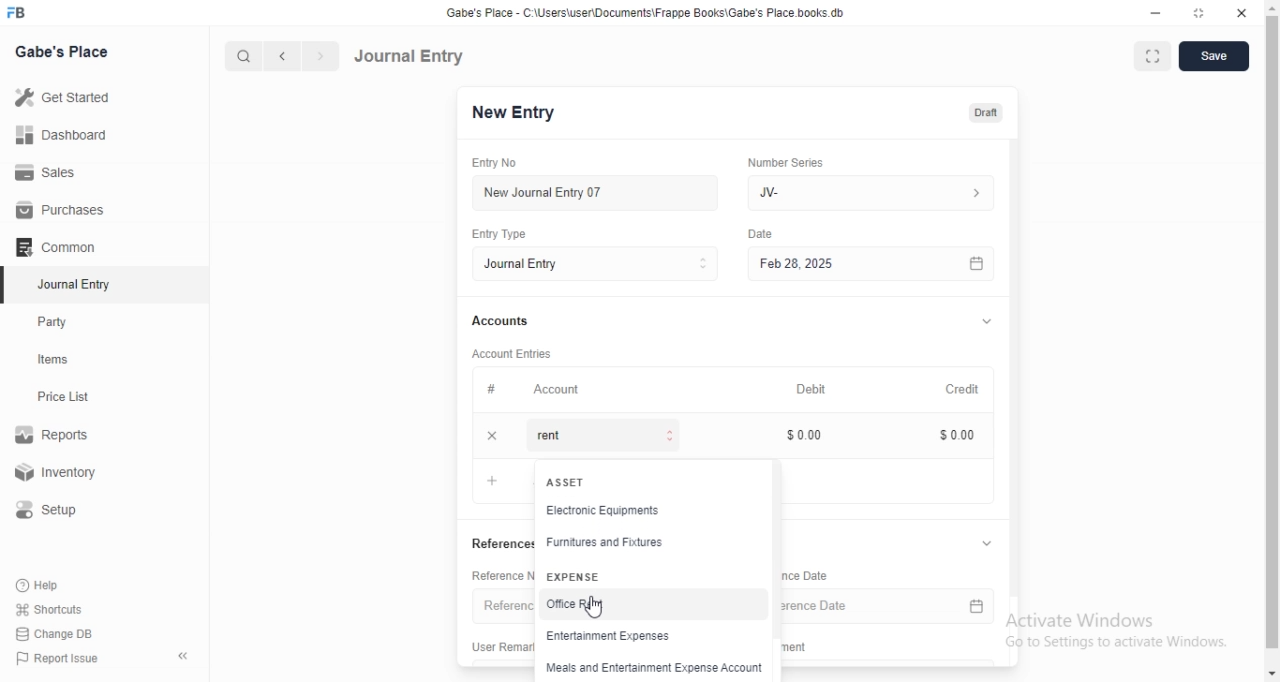  I want to click on ‘Journal Entry, so click(77, 284).